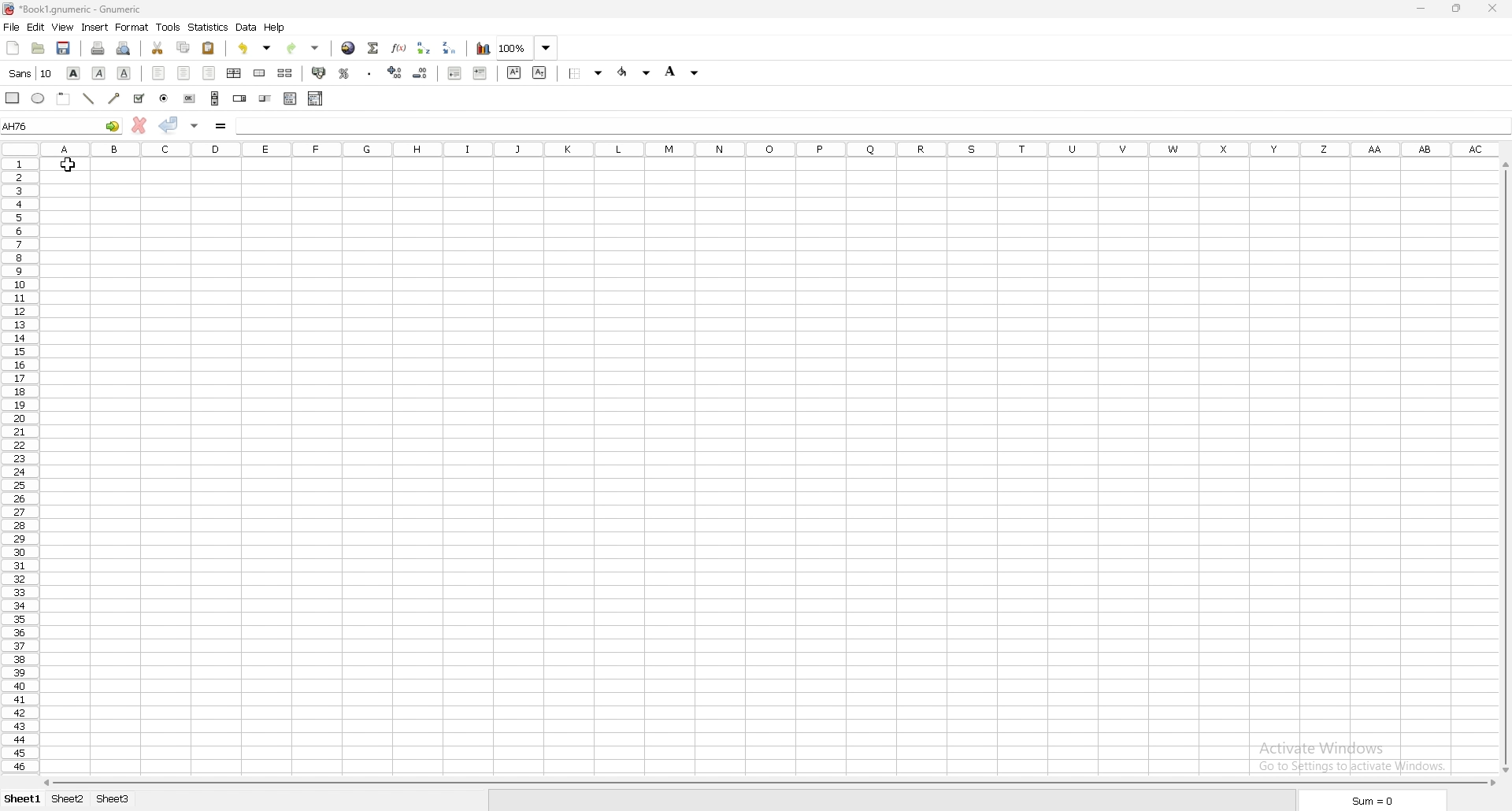  I want to click on thousand separator, so click(369, 73).